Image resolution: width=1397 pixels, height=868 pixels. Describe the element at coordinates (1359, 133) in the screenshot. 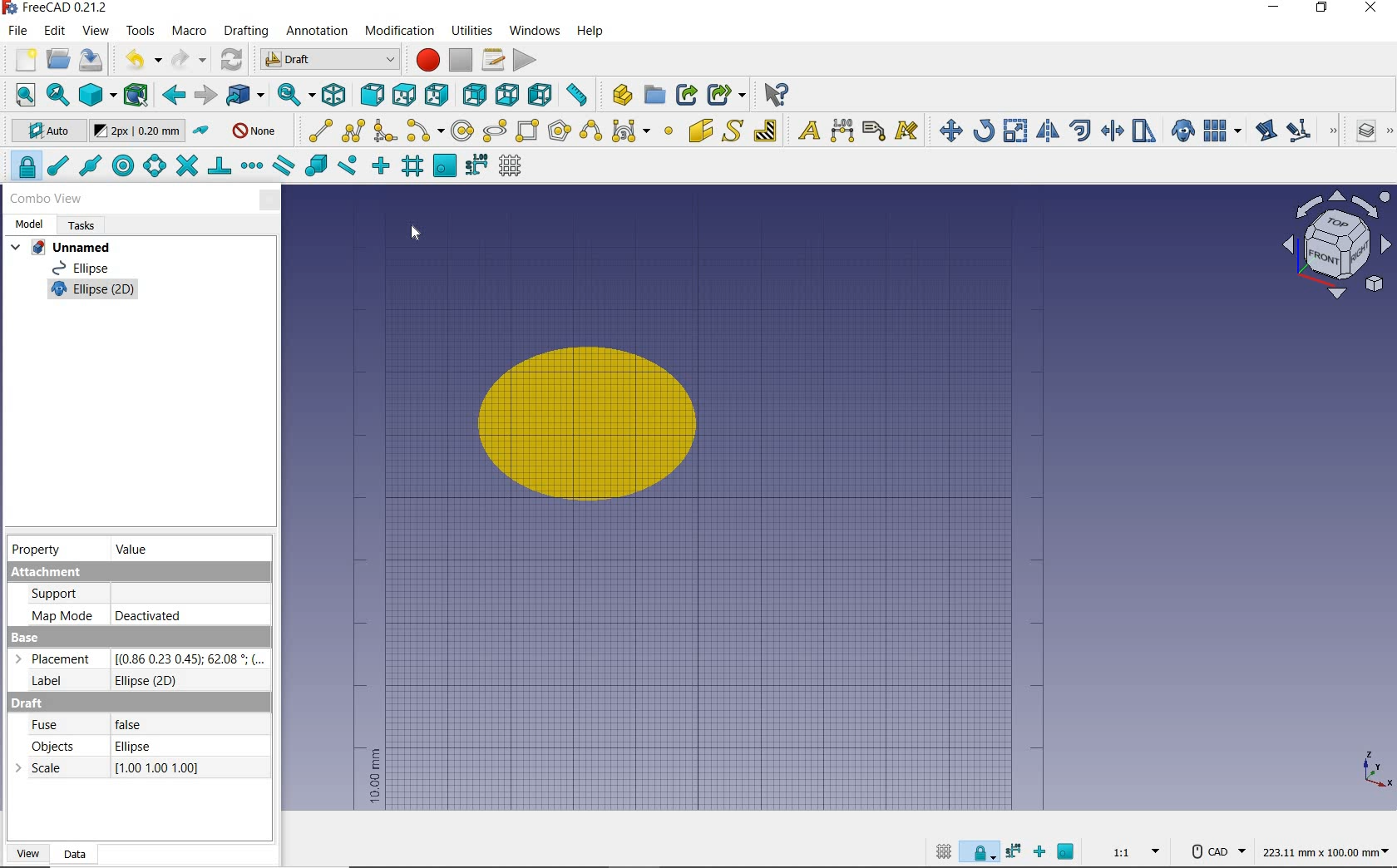

I see `manage layers` at that location.